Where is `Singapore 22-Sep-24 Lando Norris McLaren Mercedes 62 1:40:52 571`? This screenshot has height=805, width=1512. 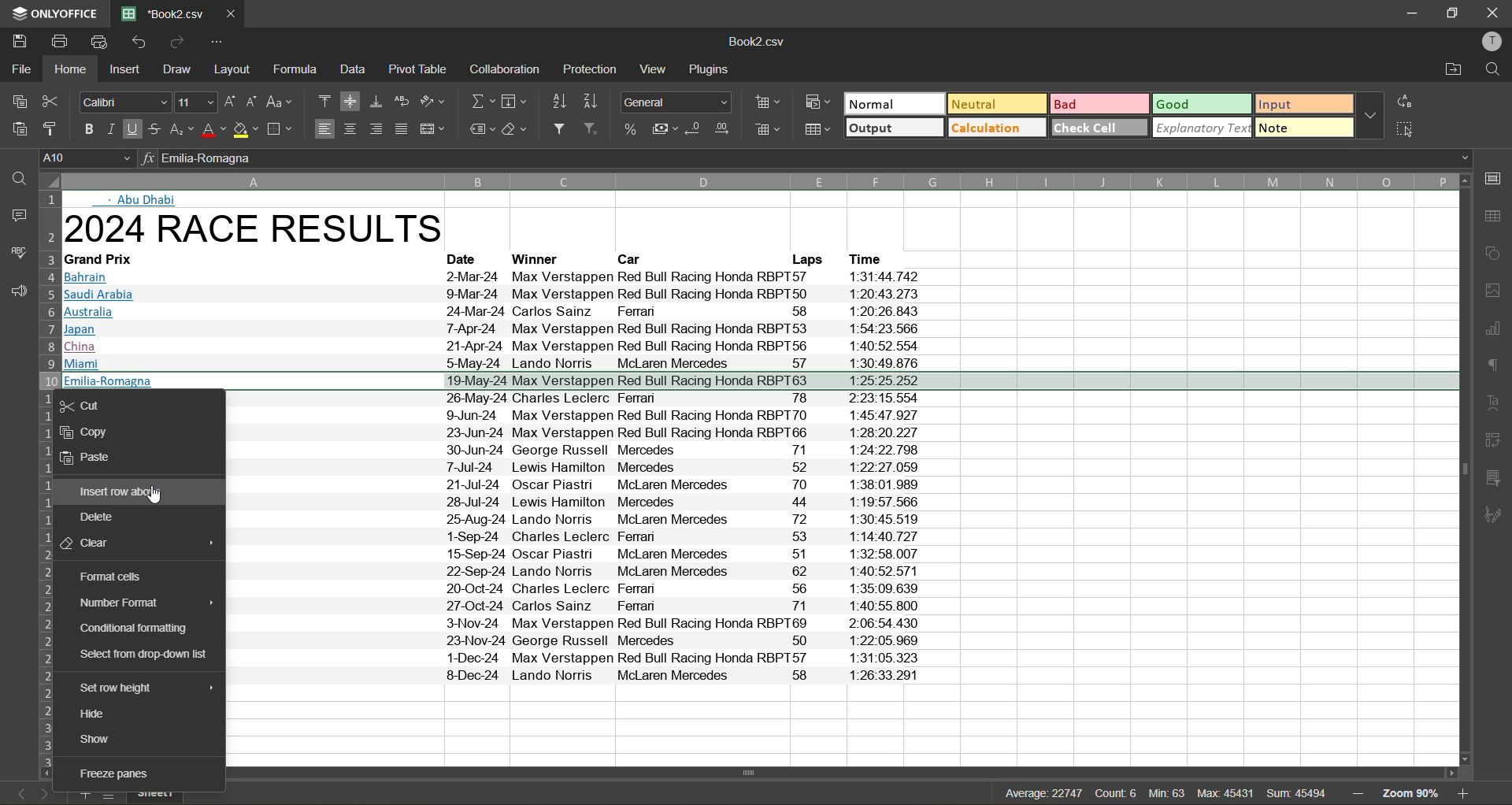
Singapore 22-Sep-24 Lando Norris McLaren Mercedes 62 1:40:52 571 is located at coordinates (577, 570).